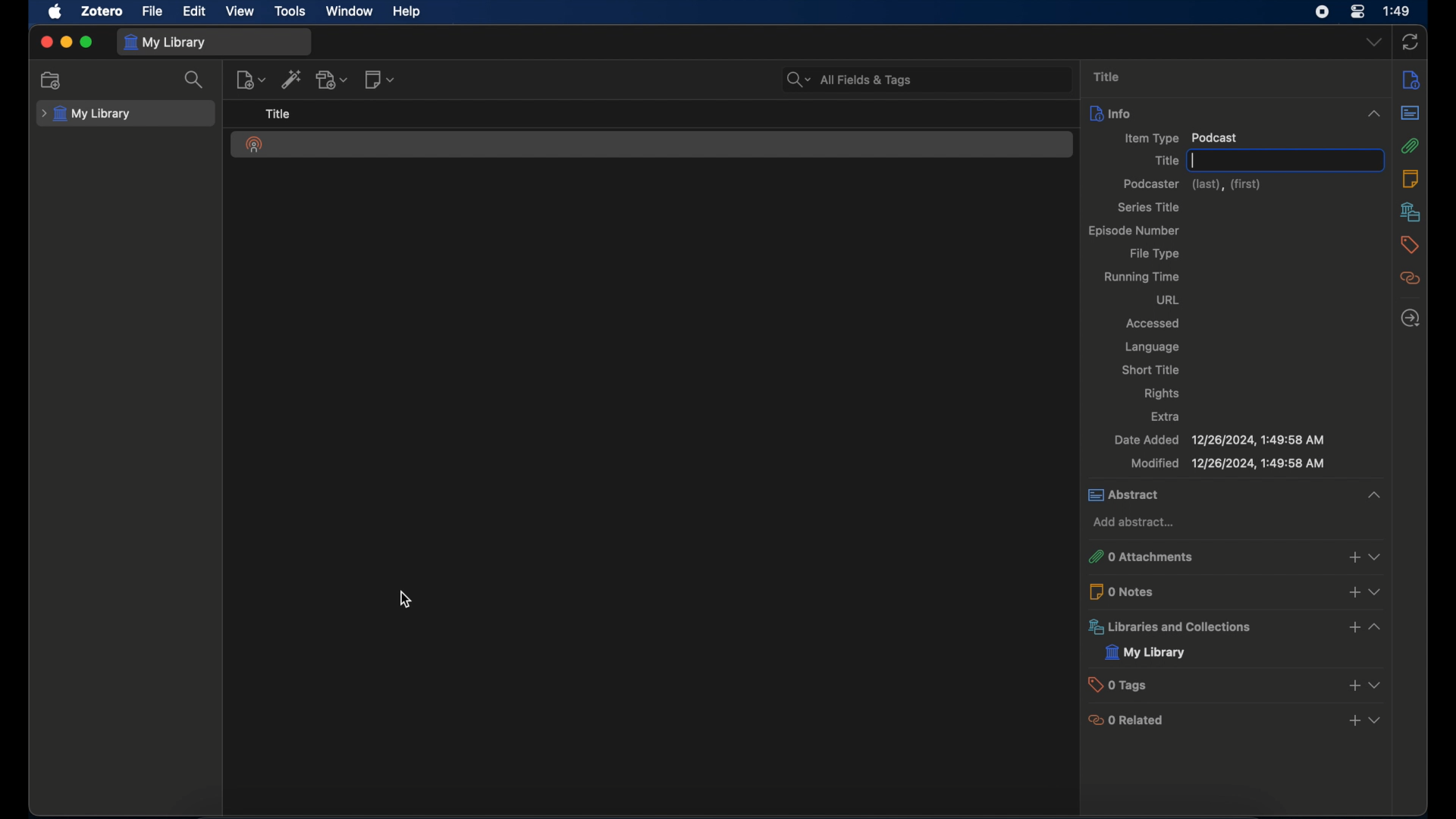 This screenshot has width=1456, height=819. I want to click on my library, so click(1146, 653).